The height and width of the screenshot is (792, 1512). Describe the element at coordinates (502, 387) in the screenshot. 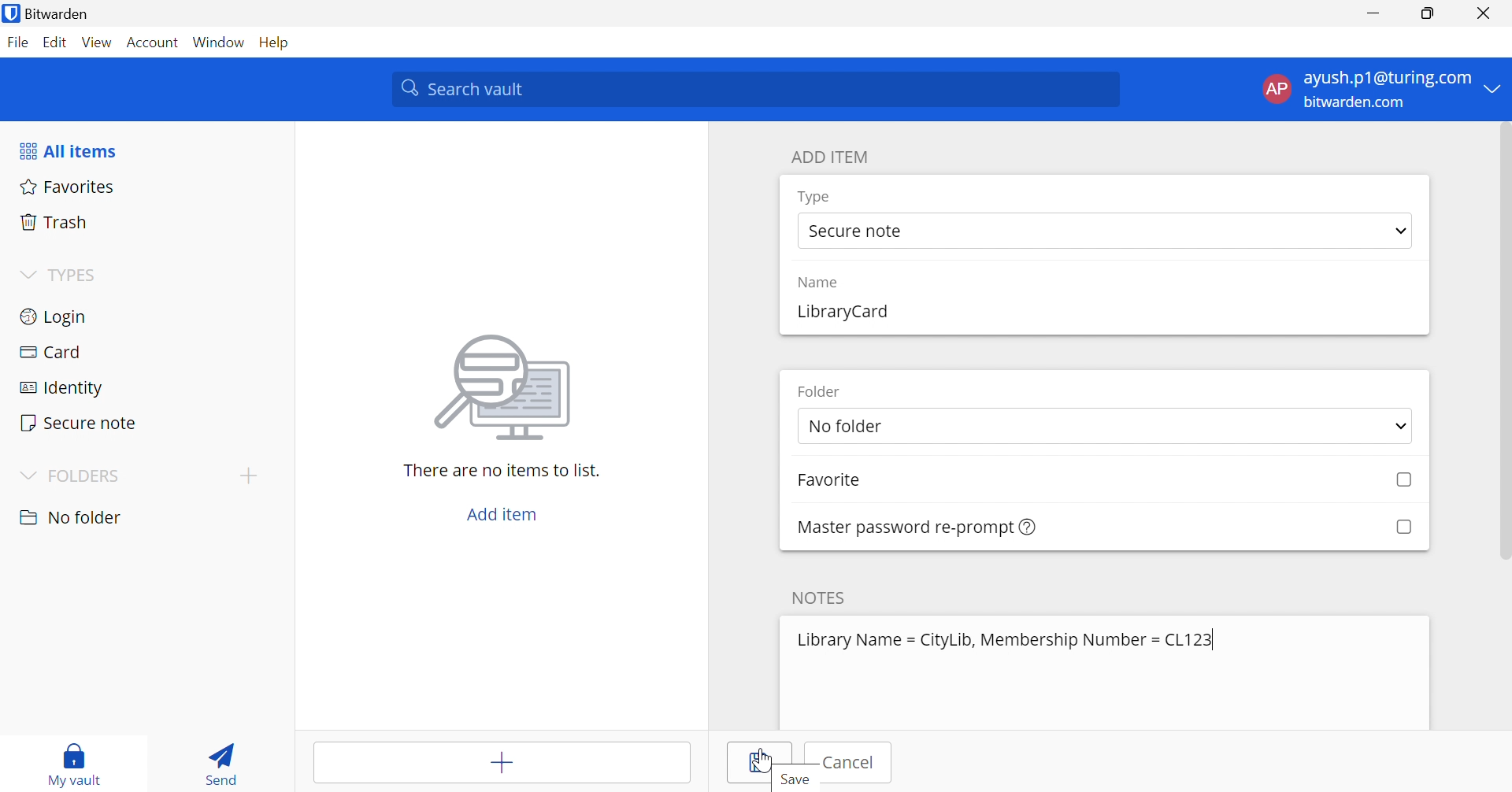

I see `image` at that location.